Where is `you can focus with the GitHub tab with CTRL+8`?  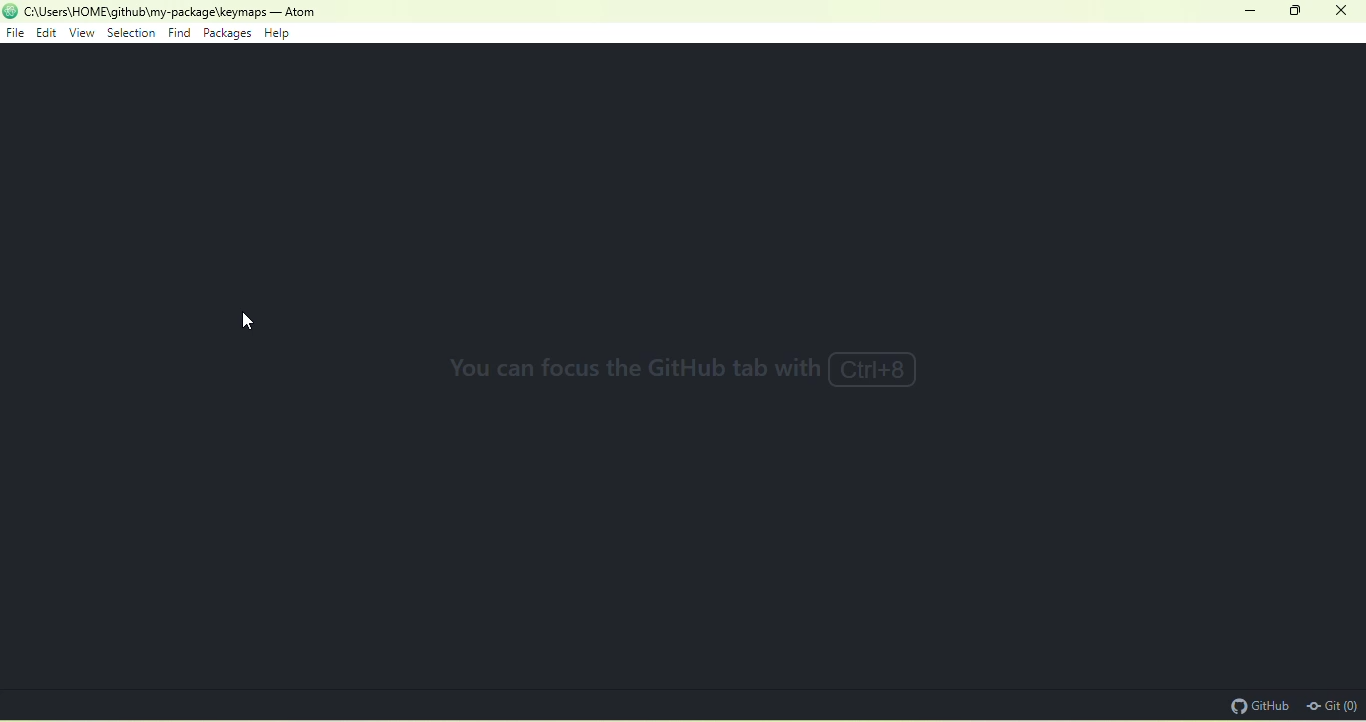
you can focus with the GitHub tab with CTRL+8 is located at coordinates (700, 371).